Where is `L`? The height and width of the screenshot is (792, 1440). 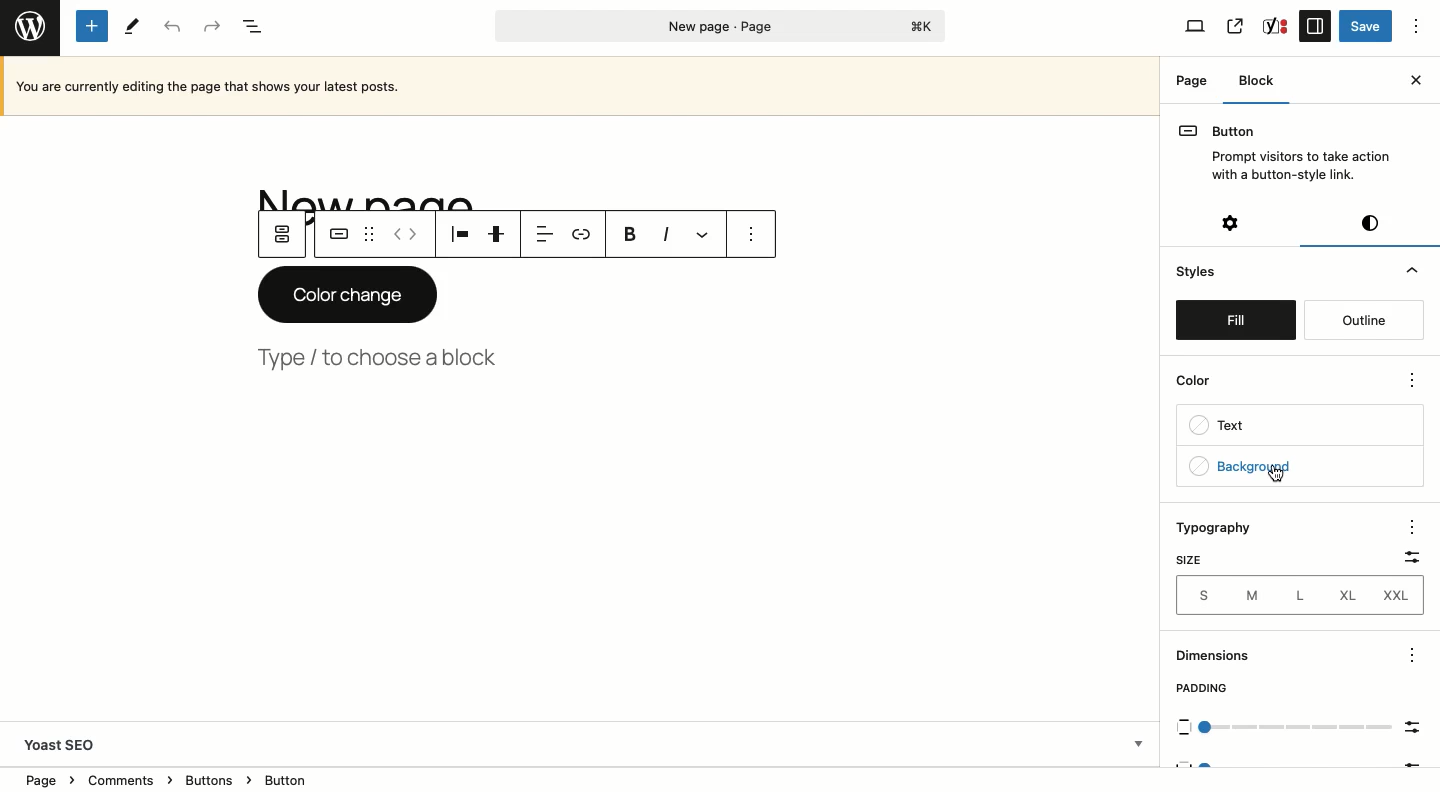 L is located at coordinates (1298, 595).